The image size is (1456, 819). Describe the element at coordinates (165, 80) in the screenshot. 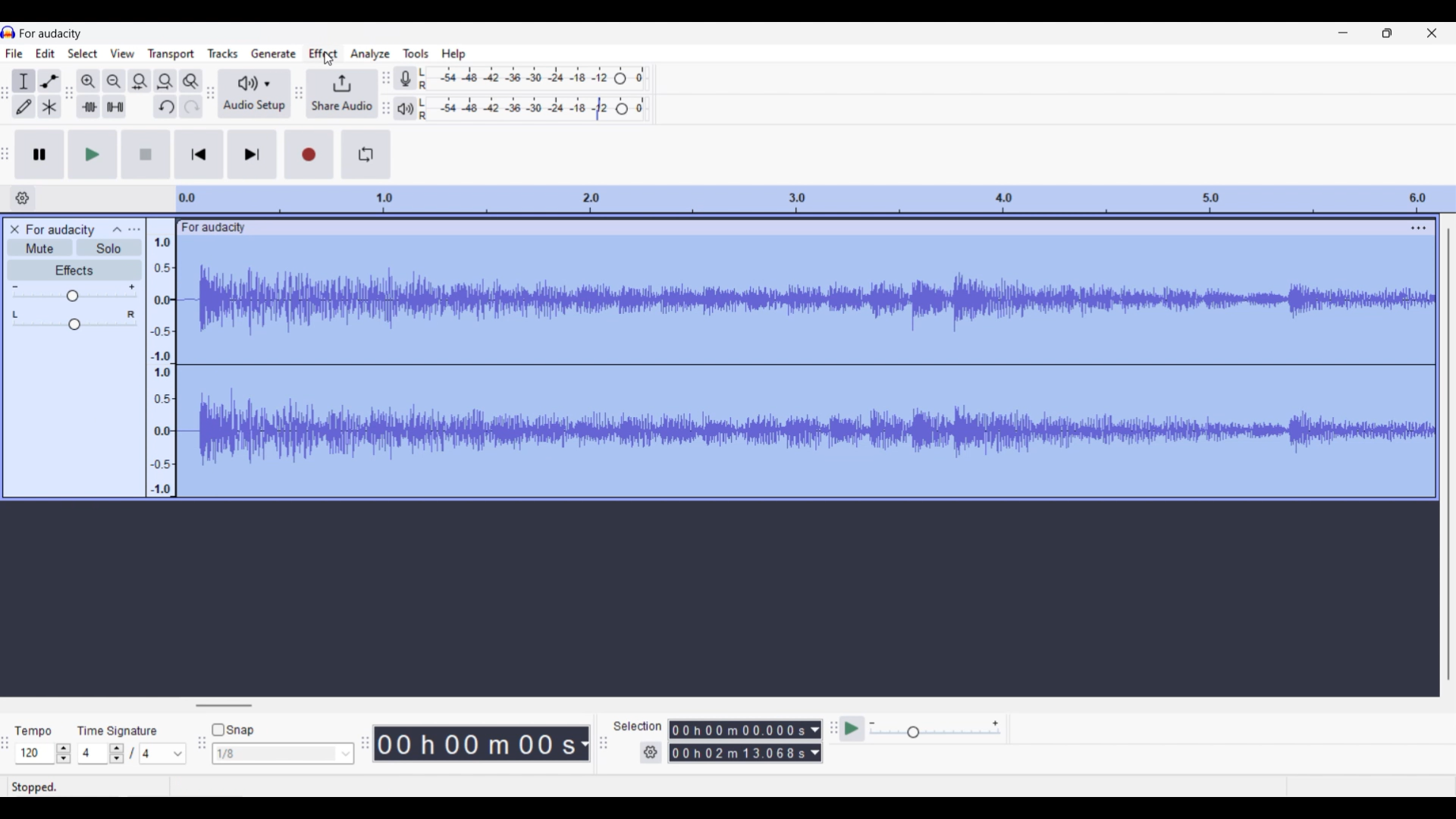

I see `Fit project to width` at that location.